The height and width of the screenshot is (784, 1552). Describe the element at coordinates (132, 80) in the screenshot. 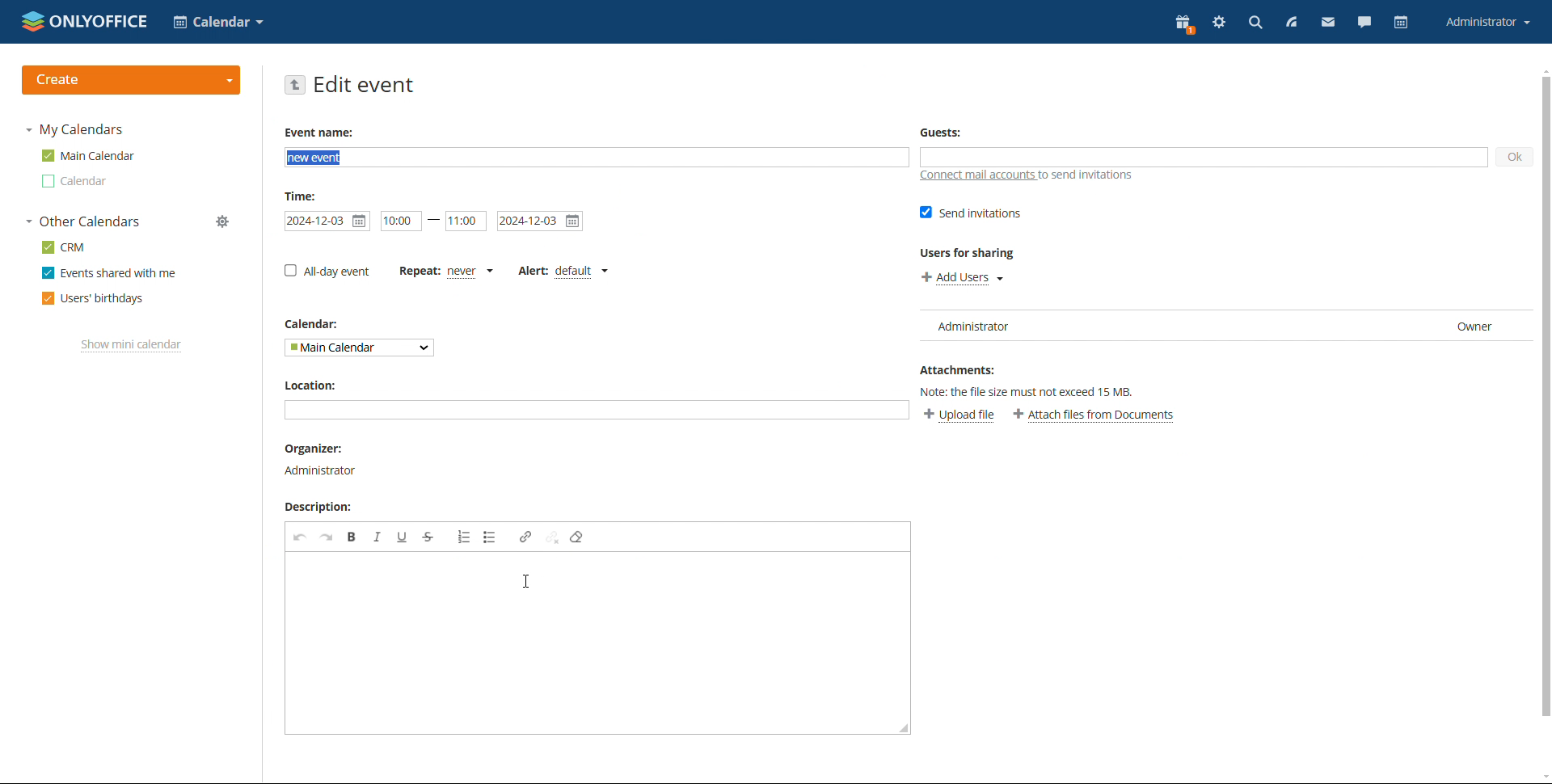

I see `create` at that location.